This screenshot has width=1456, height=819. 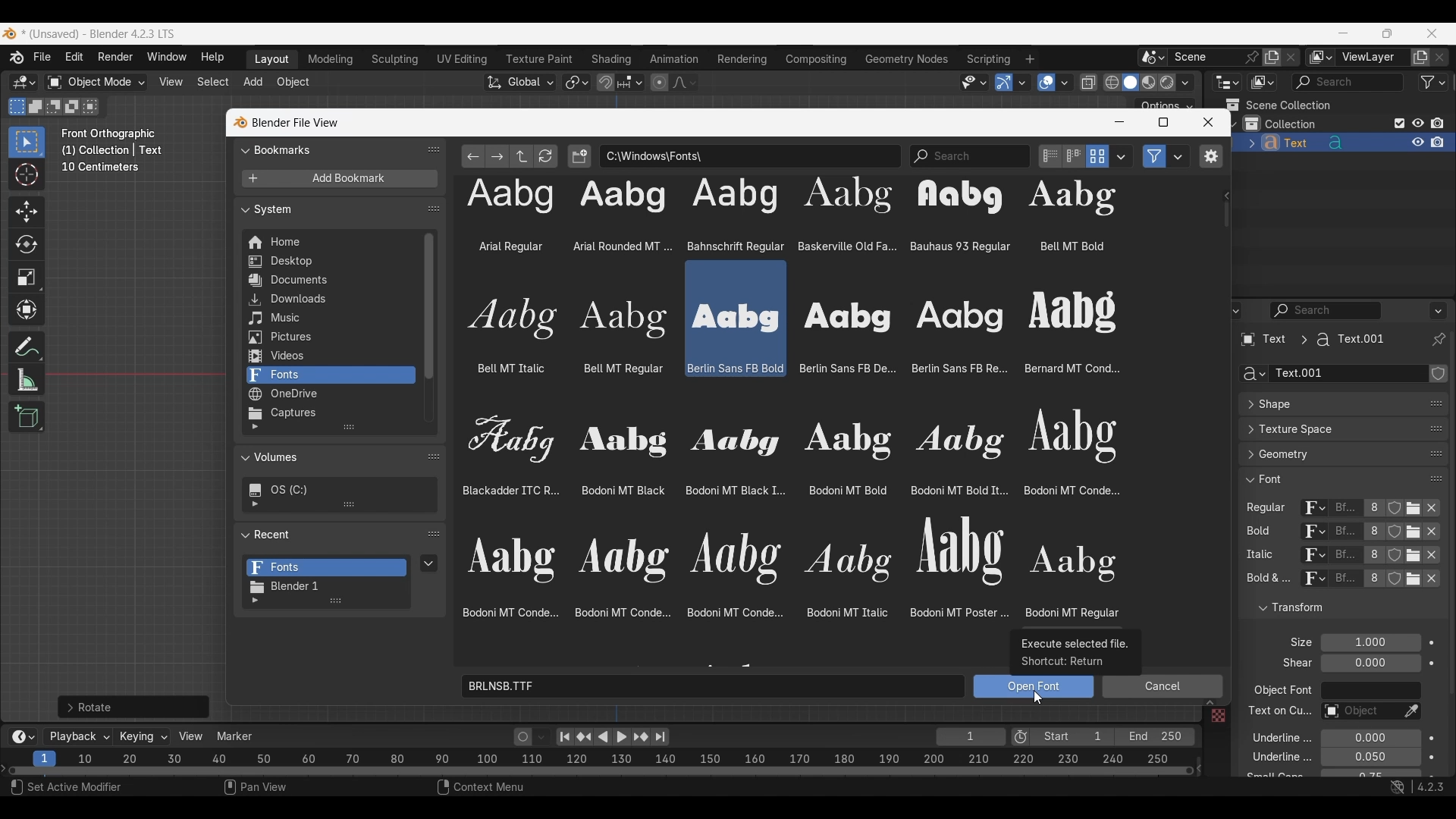 What do you see at coordinates (1148, 82) in the screenshot?
I see `Viewport shading, material preview` at bounding box center [1148, 82].